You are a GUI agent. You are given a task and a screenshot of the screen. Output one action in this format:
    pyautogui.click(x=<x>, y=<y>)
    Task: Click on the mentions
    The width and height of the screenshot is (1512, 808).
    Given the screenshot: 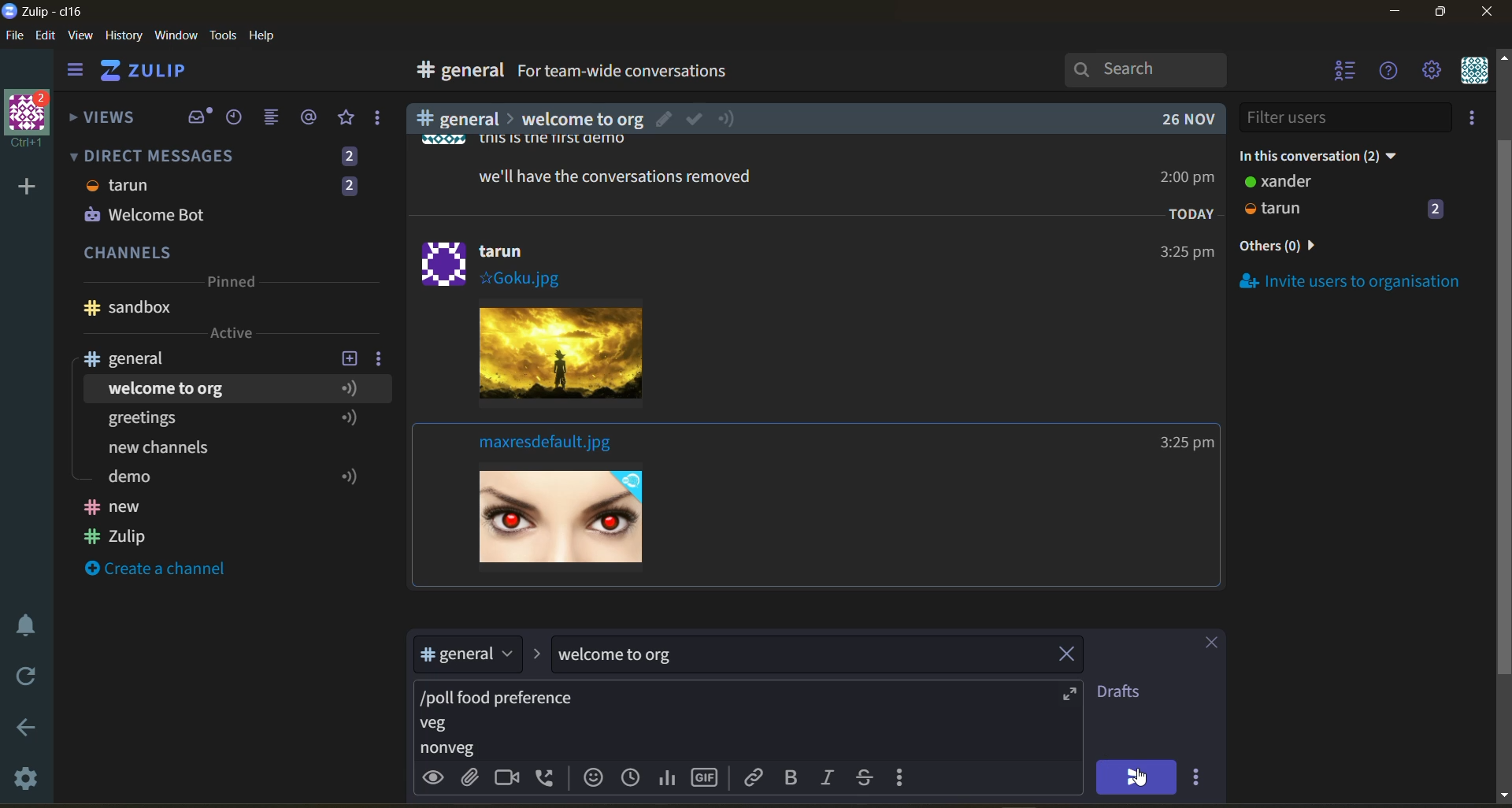 What is the action you would take?
    pyautogui.click(x=312, y=117)
    